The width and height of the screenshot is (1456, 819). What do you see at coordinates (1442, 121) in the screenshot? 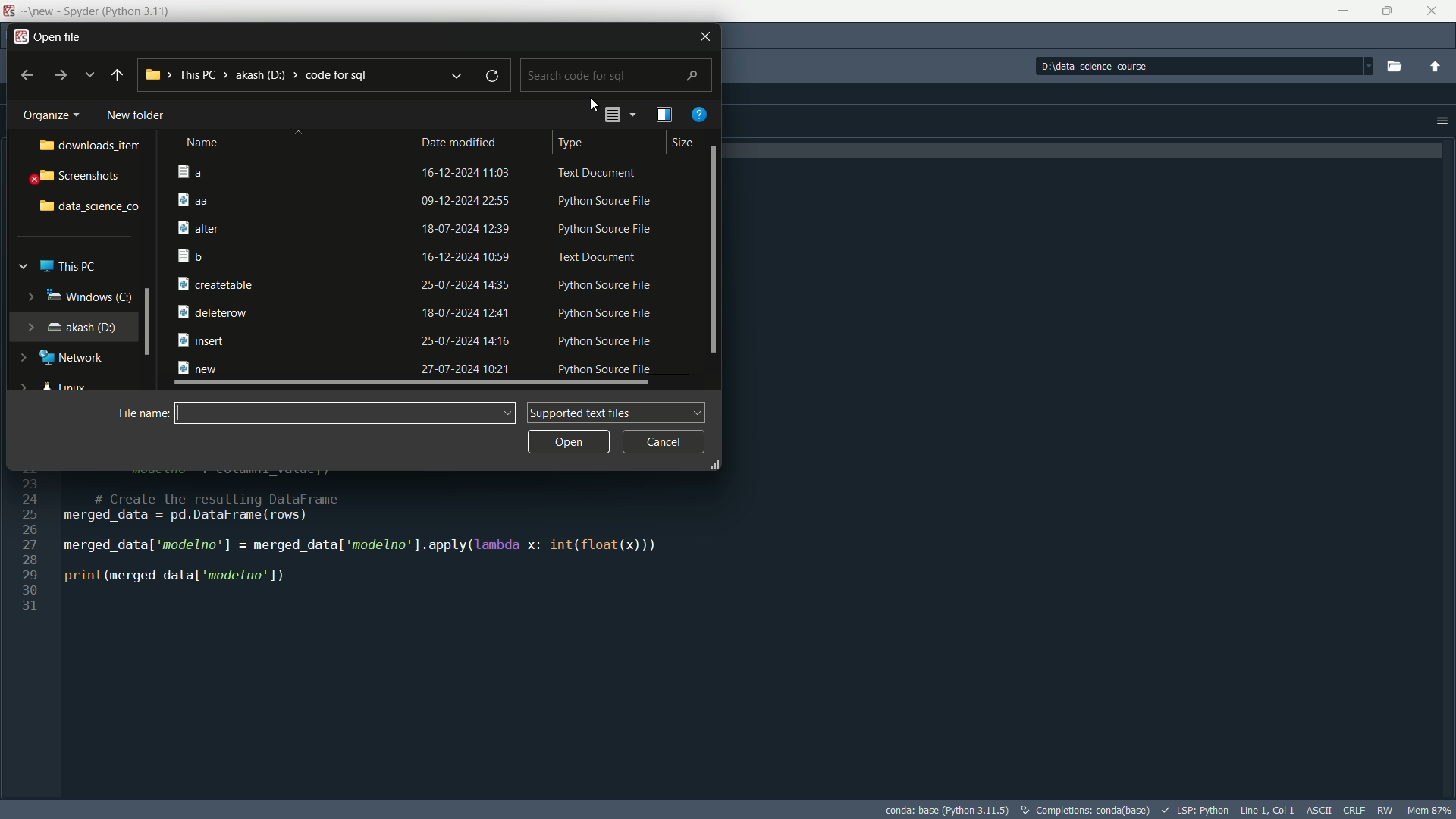
I see `options` at bounding box center [1442, 121].